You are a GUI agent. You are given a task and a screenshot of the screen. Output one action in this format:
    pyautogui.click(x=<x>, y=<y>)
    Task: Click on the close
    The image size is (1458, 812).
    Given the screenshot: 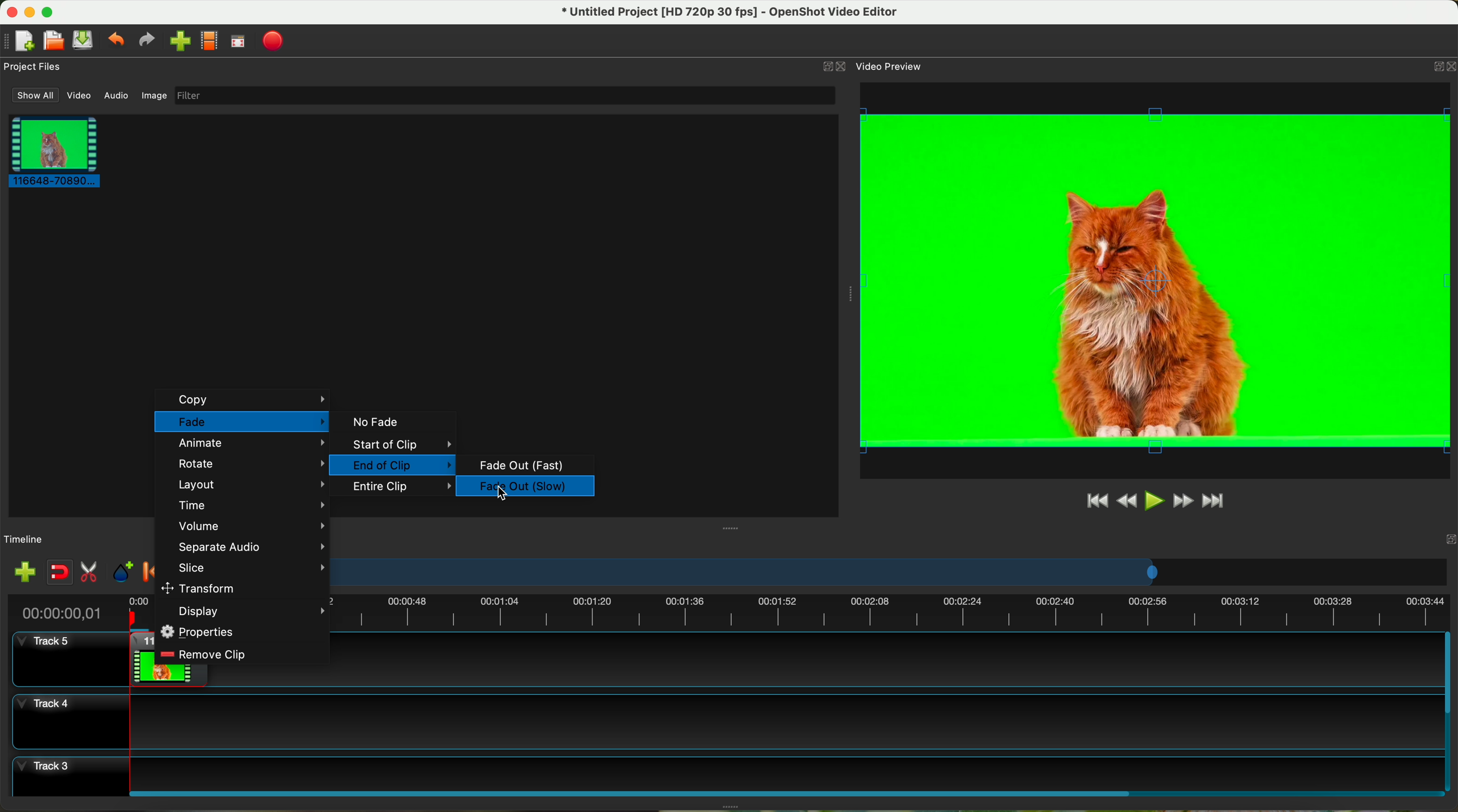 What is the action you would take?
    pyautogui.click(x=1434, y=538)
    